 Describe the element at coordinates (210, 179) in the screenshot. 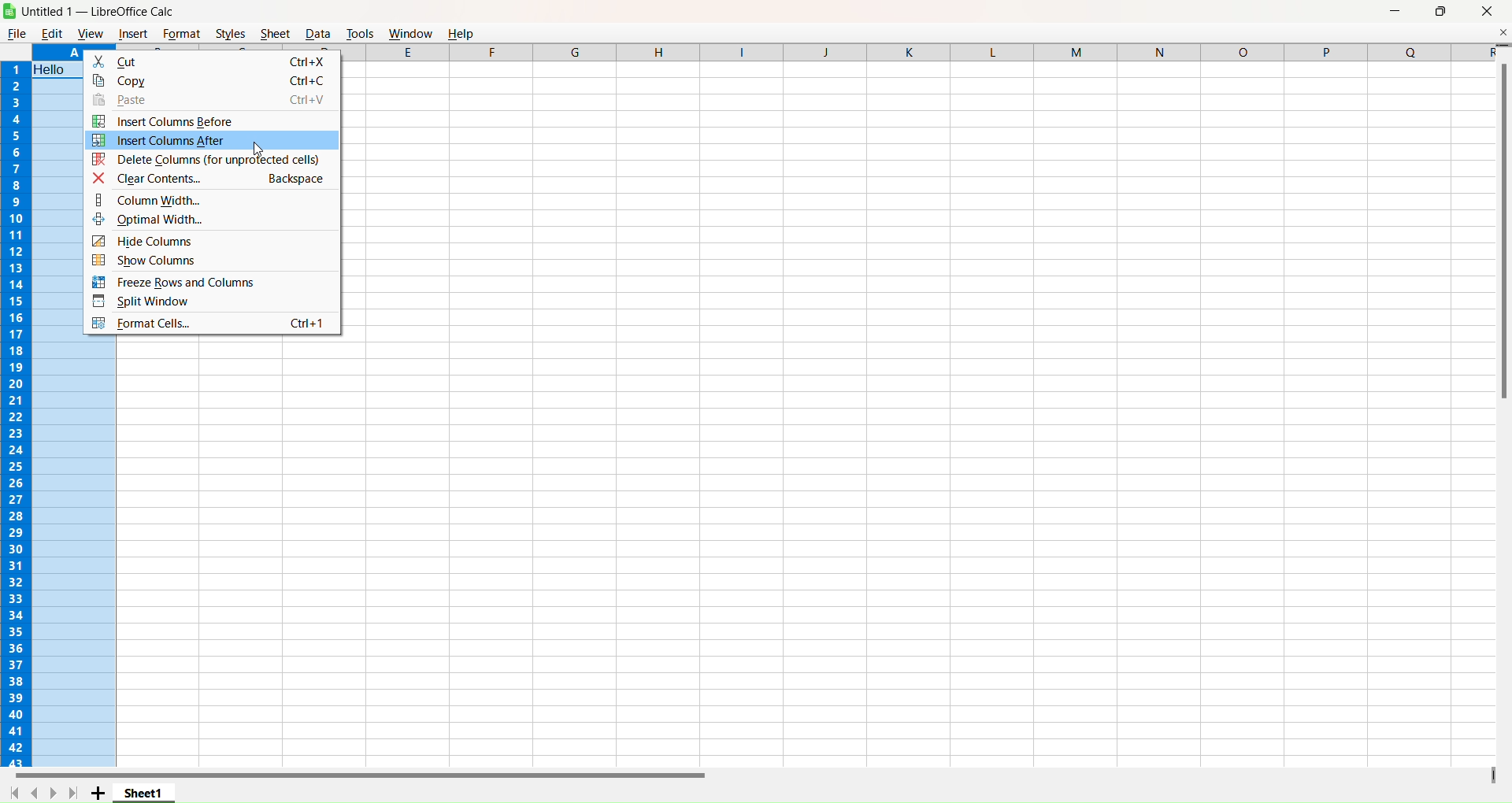

I see `Clear Contents` at that location.